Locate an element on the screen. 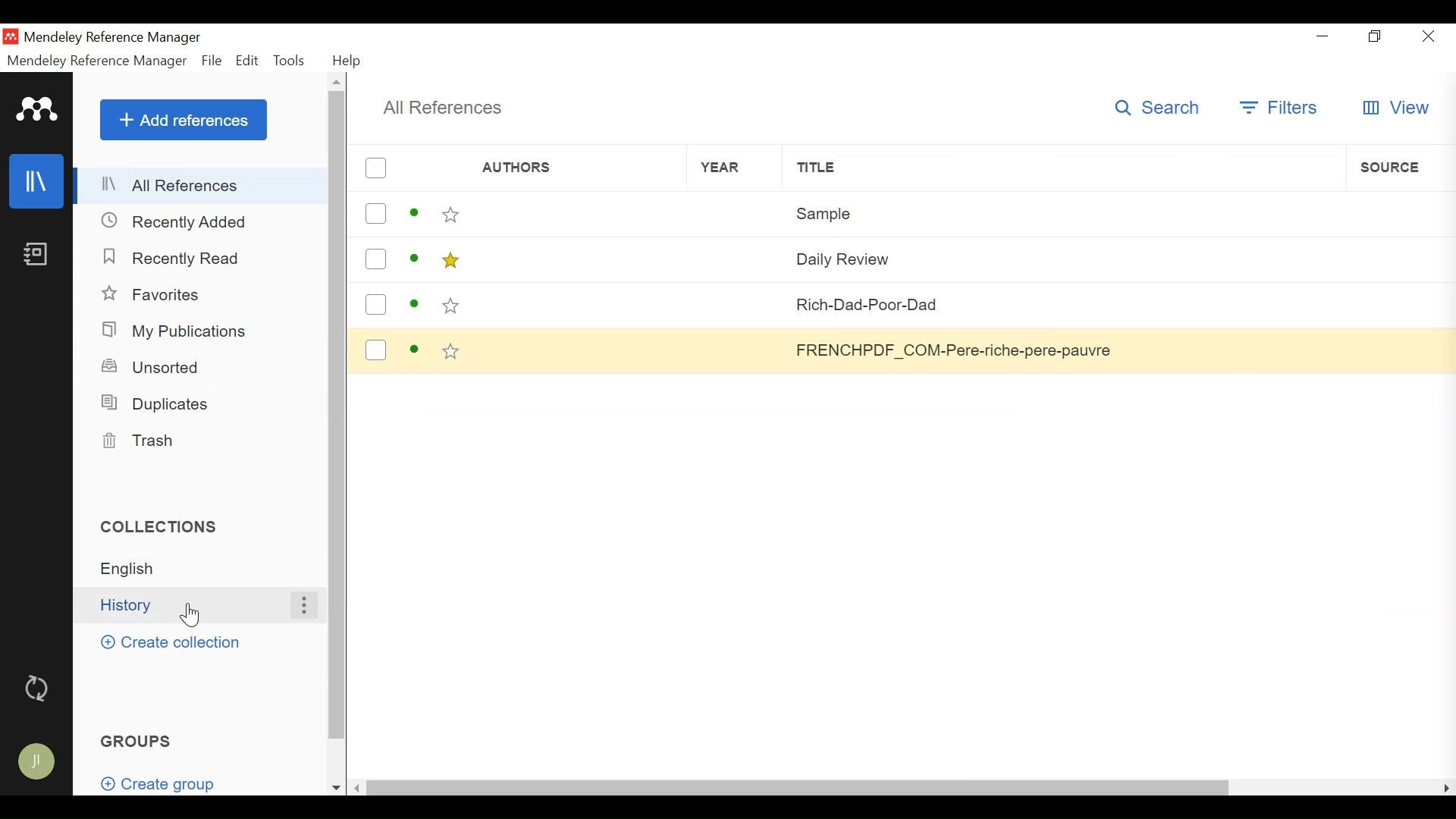 This screenshot has height=819, width=1456. (un)select is located at coordinates (375, 259).